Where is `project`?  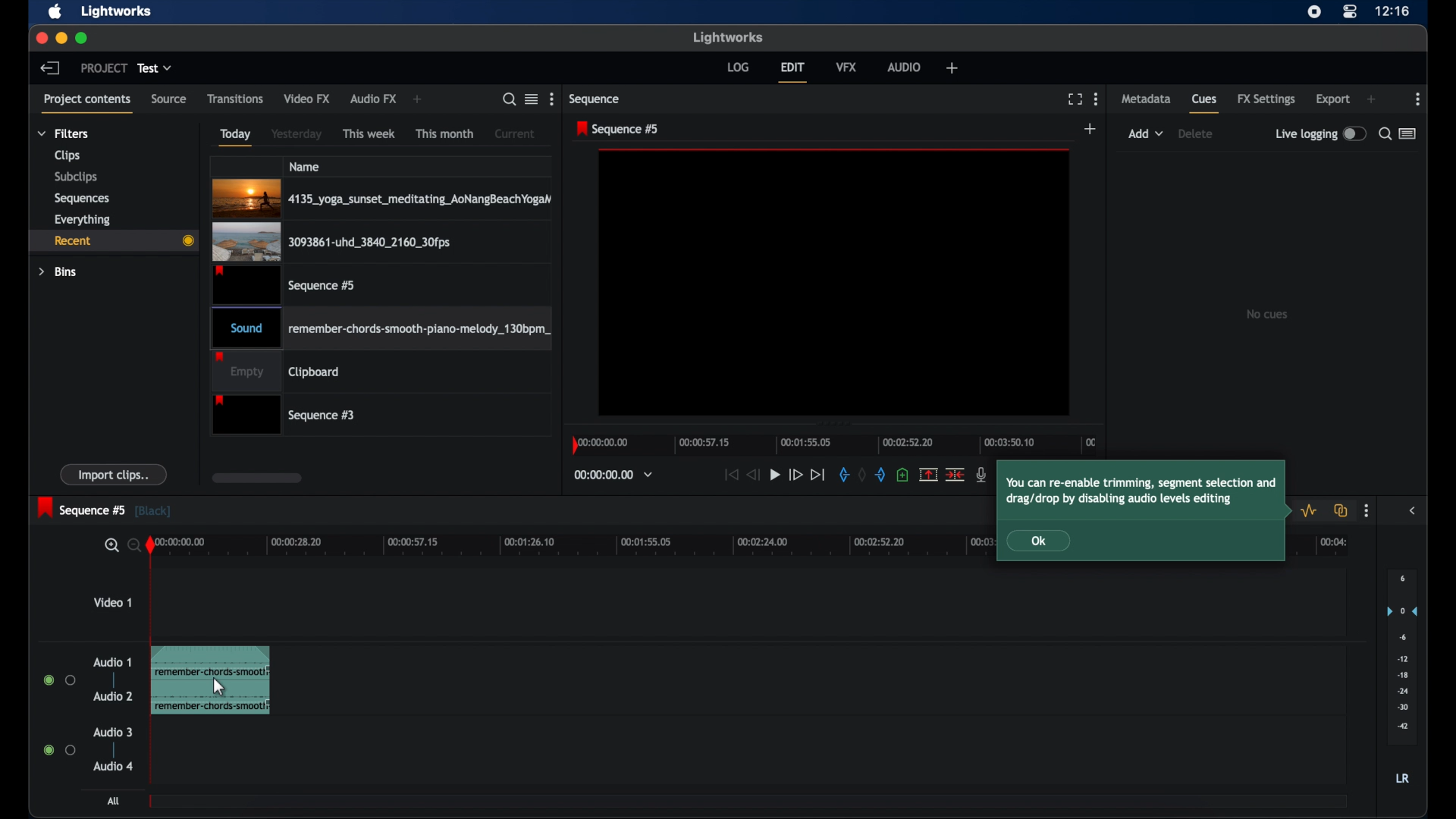
project is located at coordinates (104, 67).